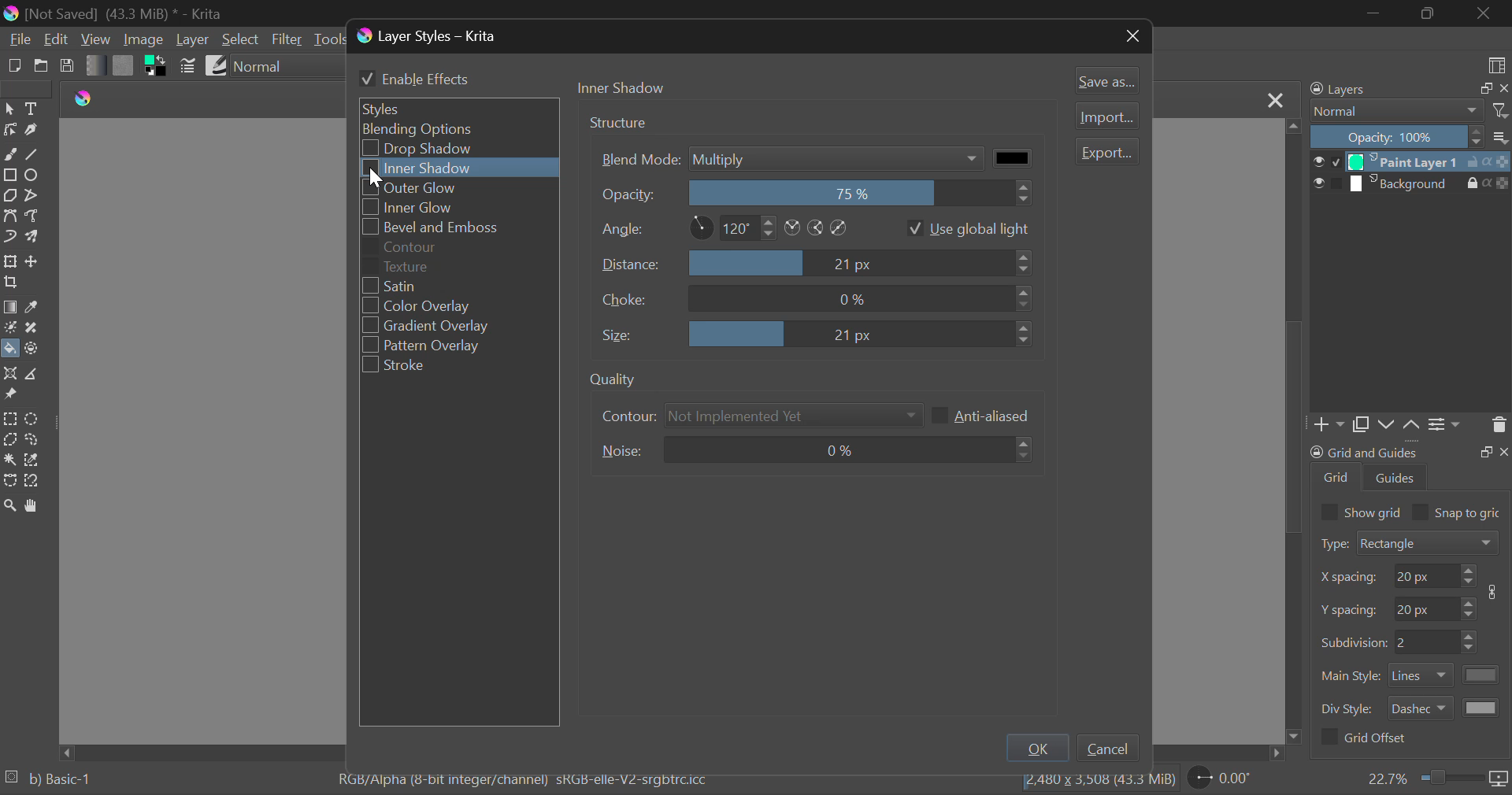 The width and height of the screenshot is (1512, 795). I want to click on Polygon, so click(9, 194).